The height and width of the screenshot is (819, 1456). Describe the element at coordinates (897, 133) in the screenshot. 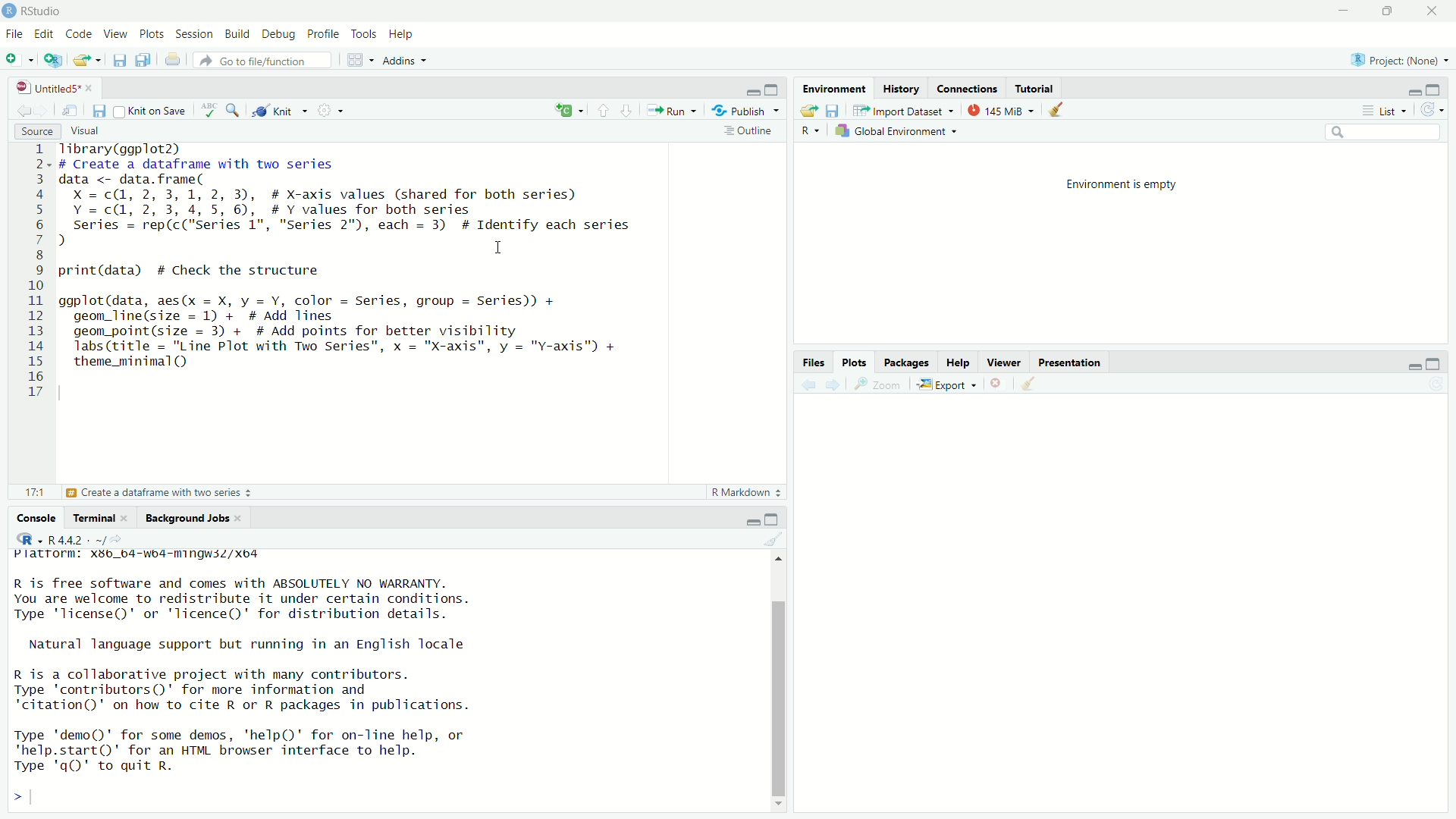

I see `Global Enviornment` at that location.